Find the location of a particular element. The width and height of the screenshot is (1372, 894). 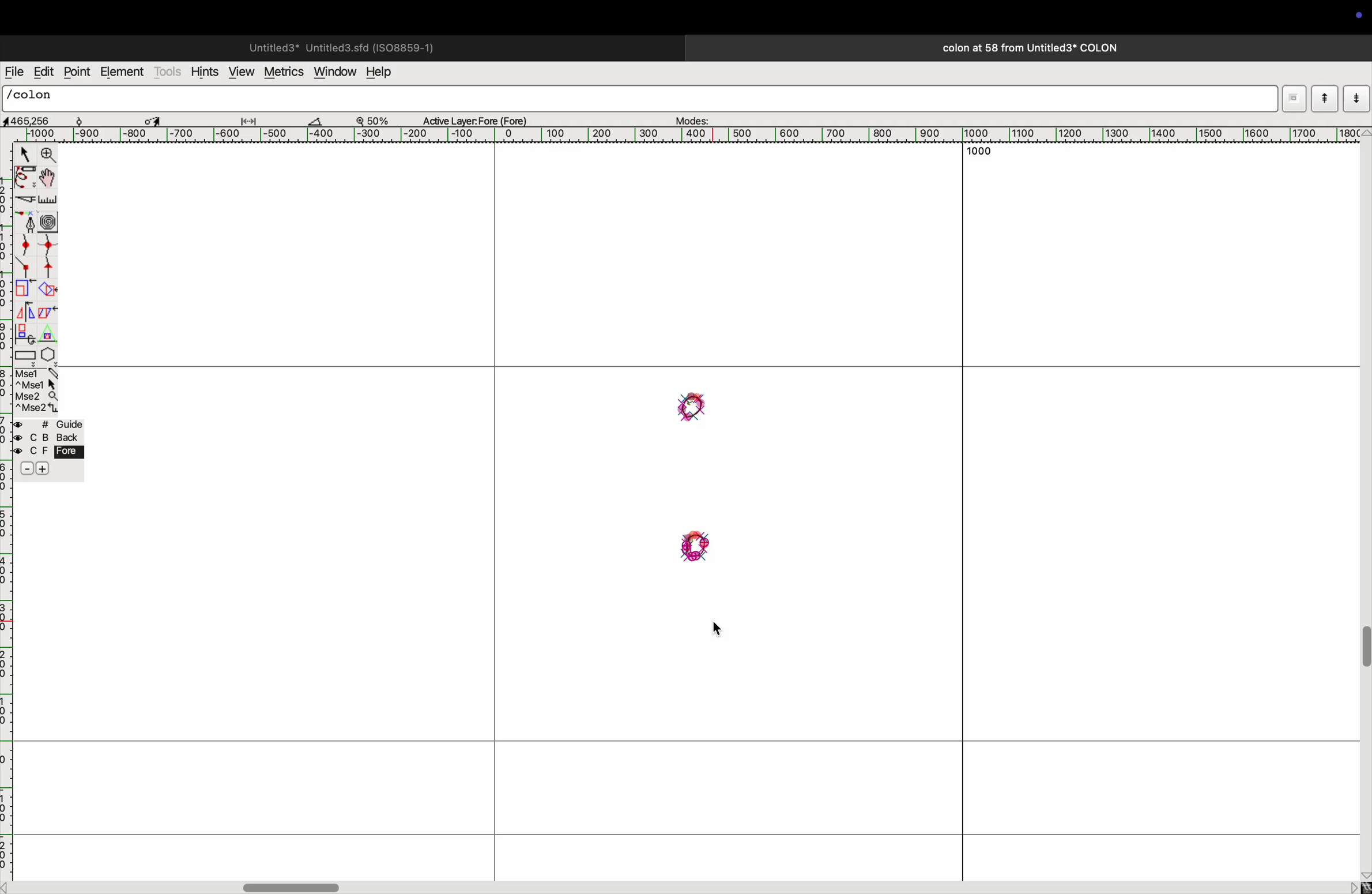

active layer is located at coordinates (480, 118).